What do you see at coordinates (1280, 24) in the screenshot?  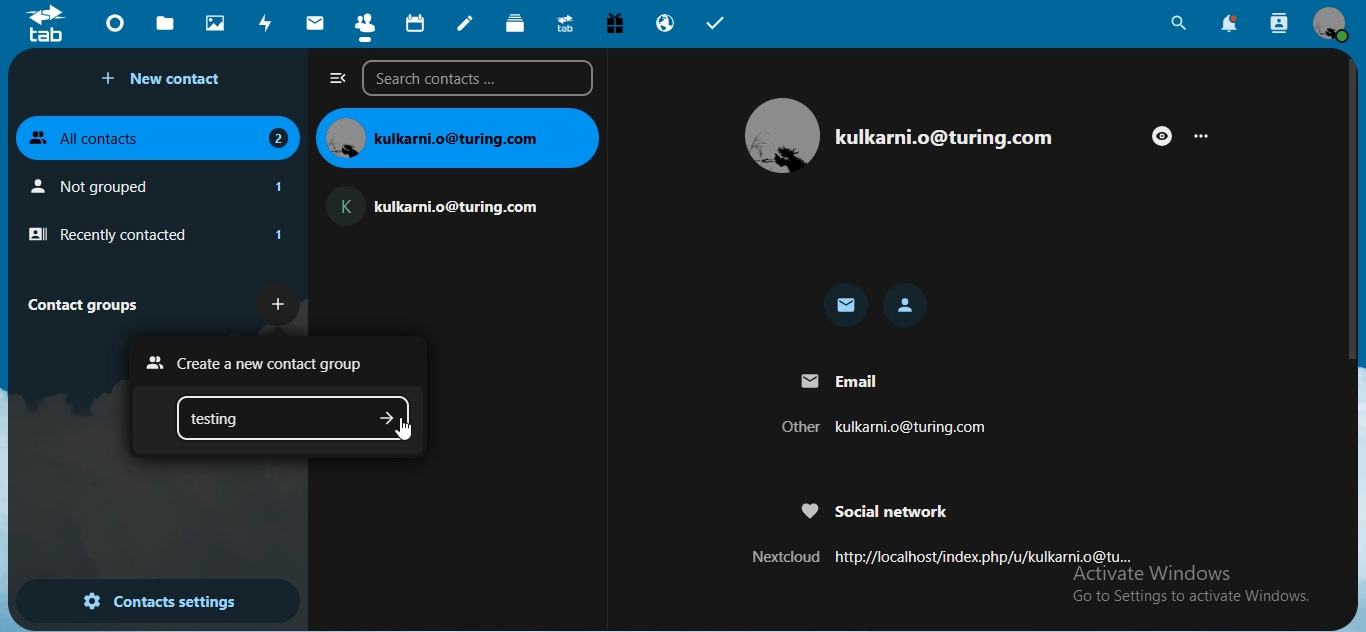 I see `search contact` at bounding box center [1280, 24].